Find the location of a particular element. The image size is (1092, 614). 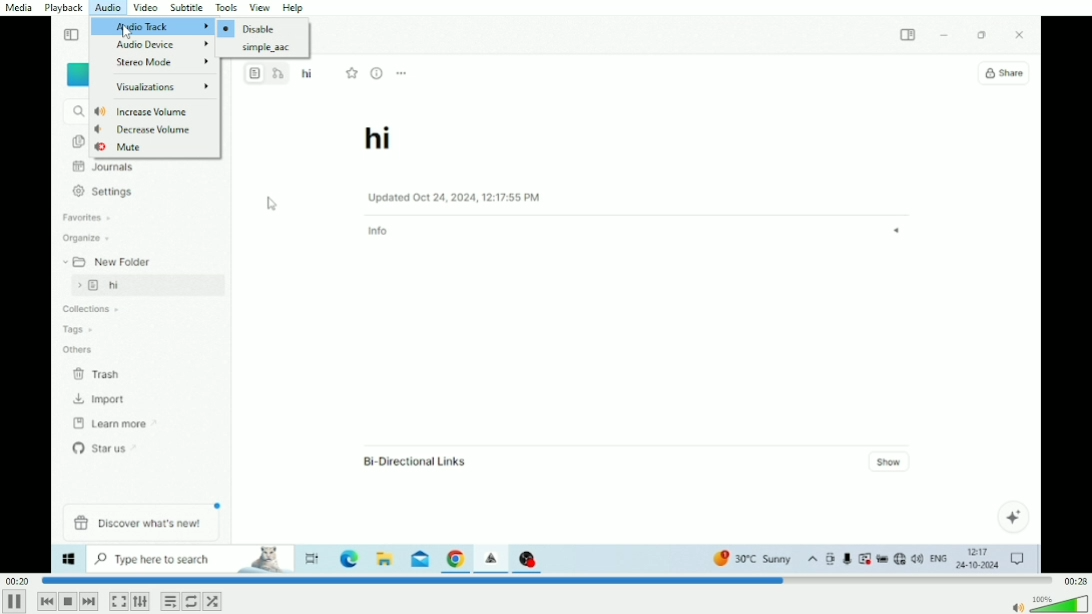

Next media in playlist is located at coordinates (89, 602).